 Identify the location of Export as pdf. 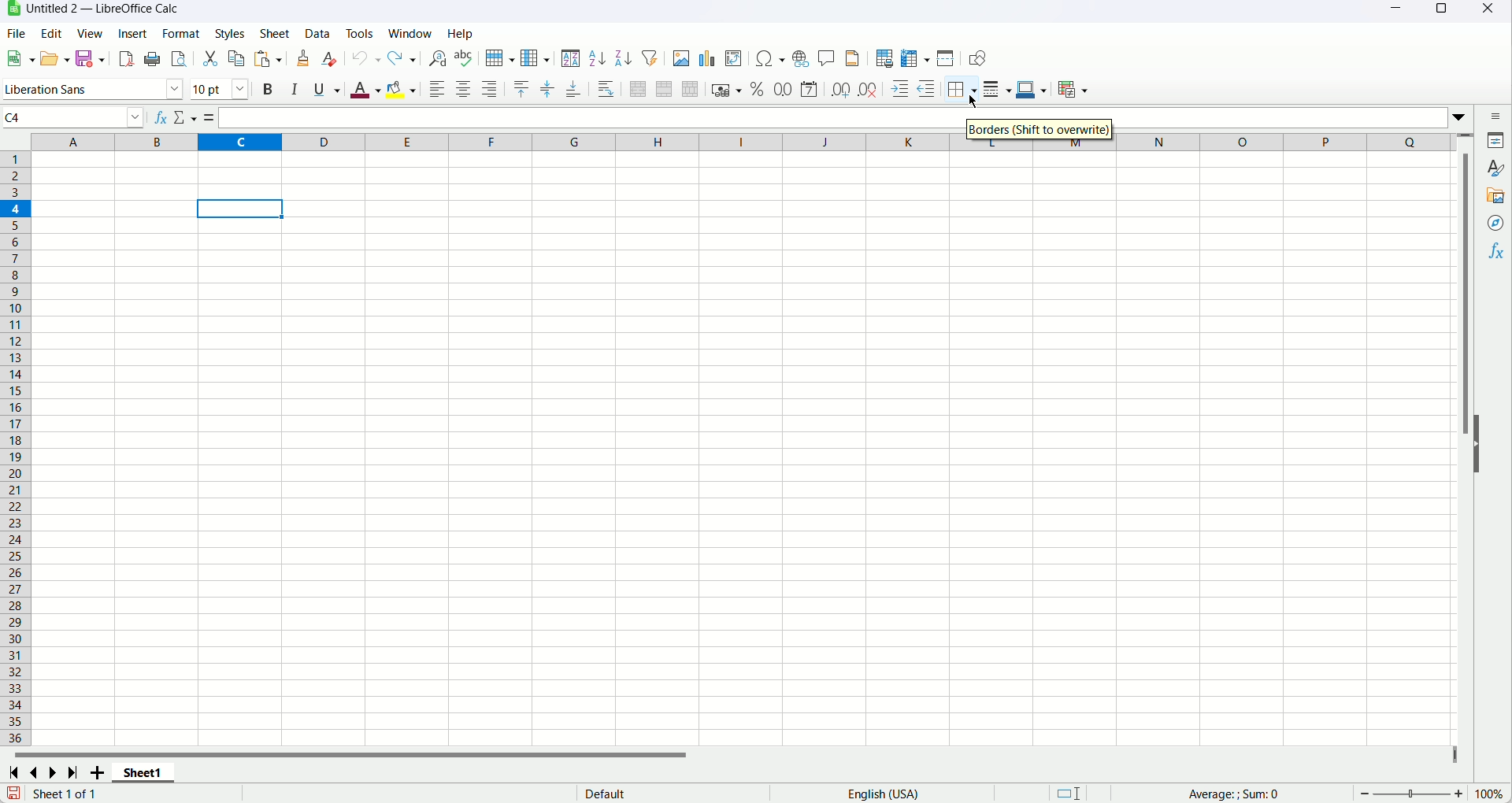
(126, 58).